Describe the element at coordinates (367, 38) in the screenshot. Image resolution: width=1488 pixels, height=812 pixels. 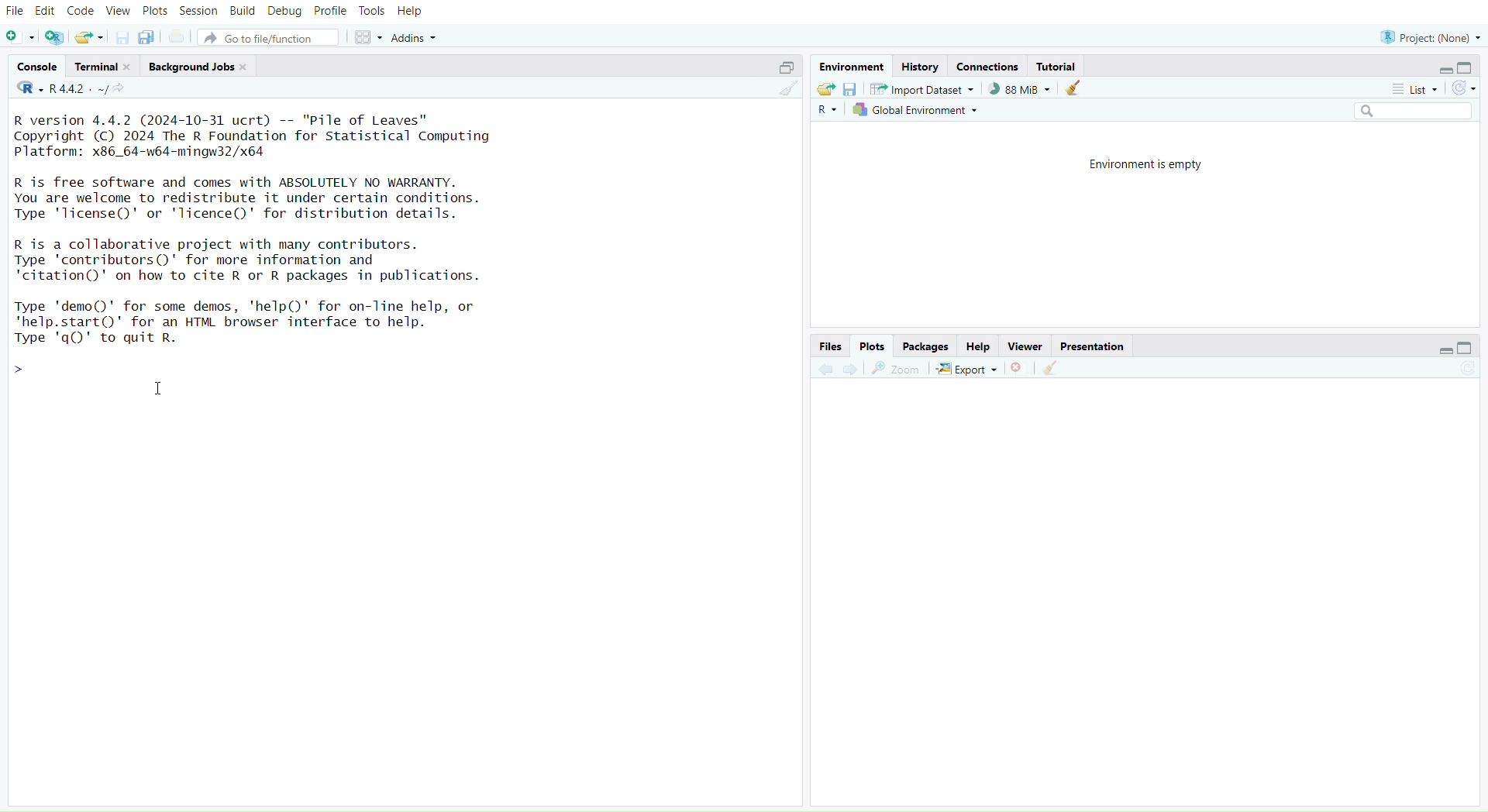
I see `workspace panes` at that location.